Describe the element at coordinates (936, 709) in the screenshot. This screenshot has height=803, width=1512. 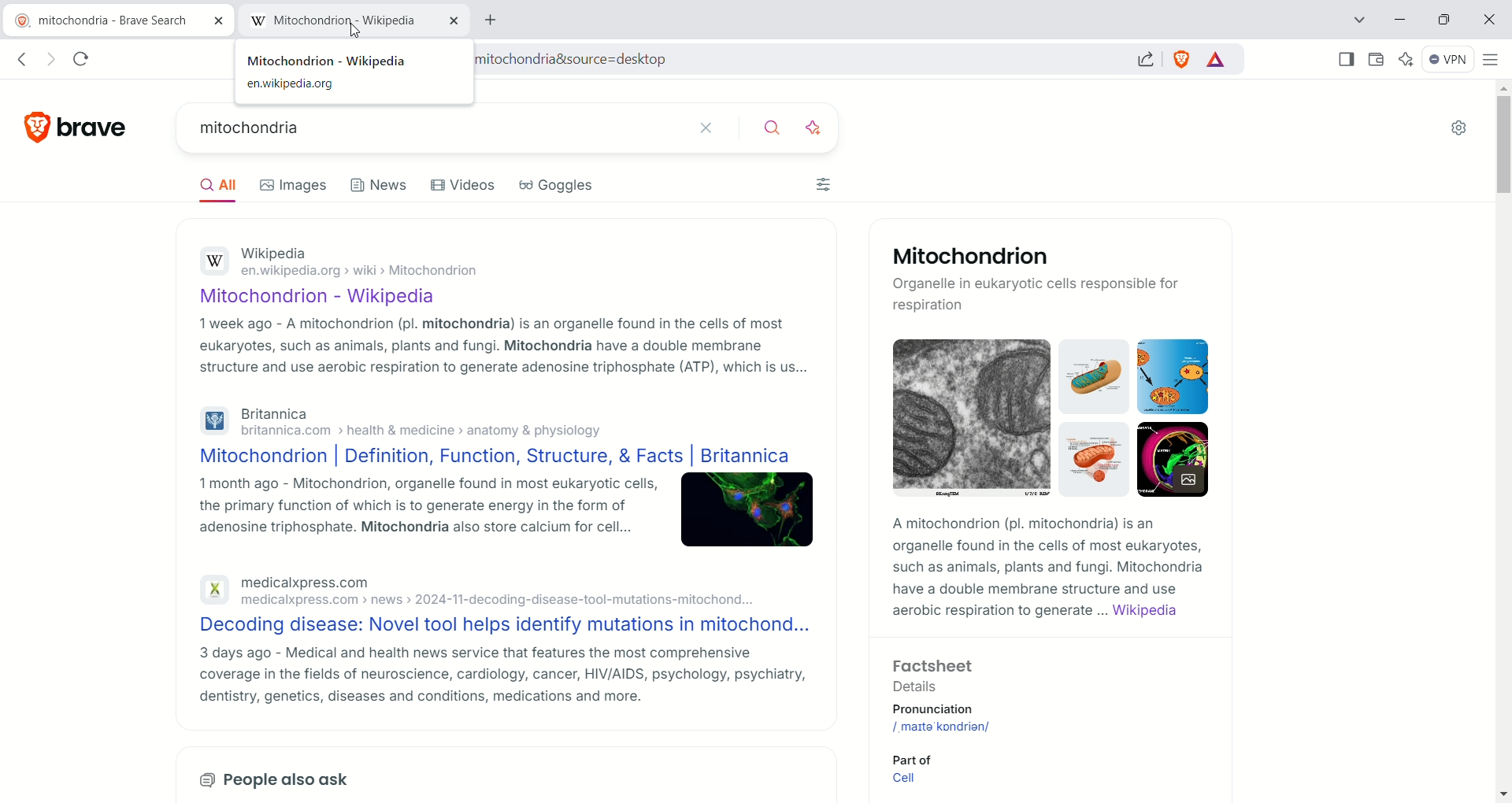
I see `Pronunciation` at that location.